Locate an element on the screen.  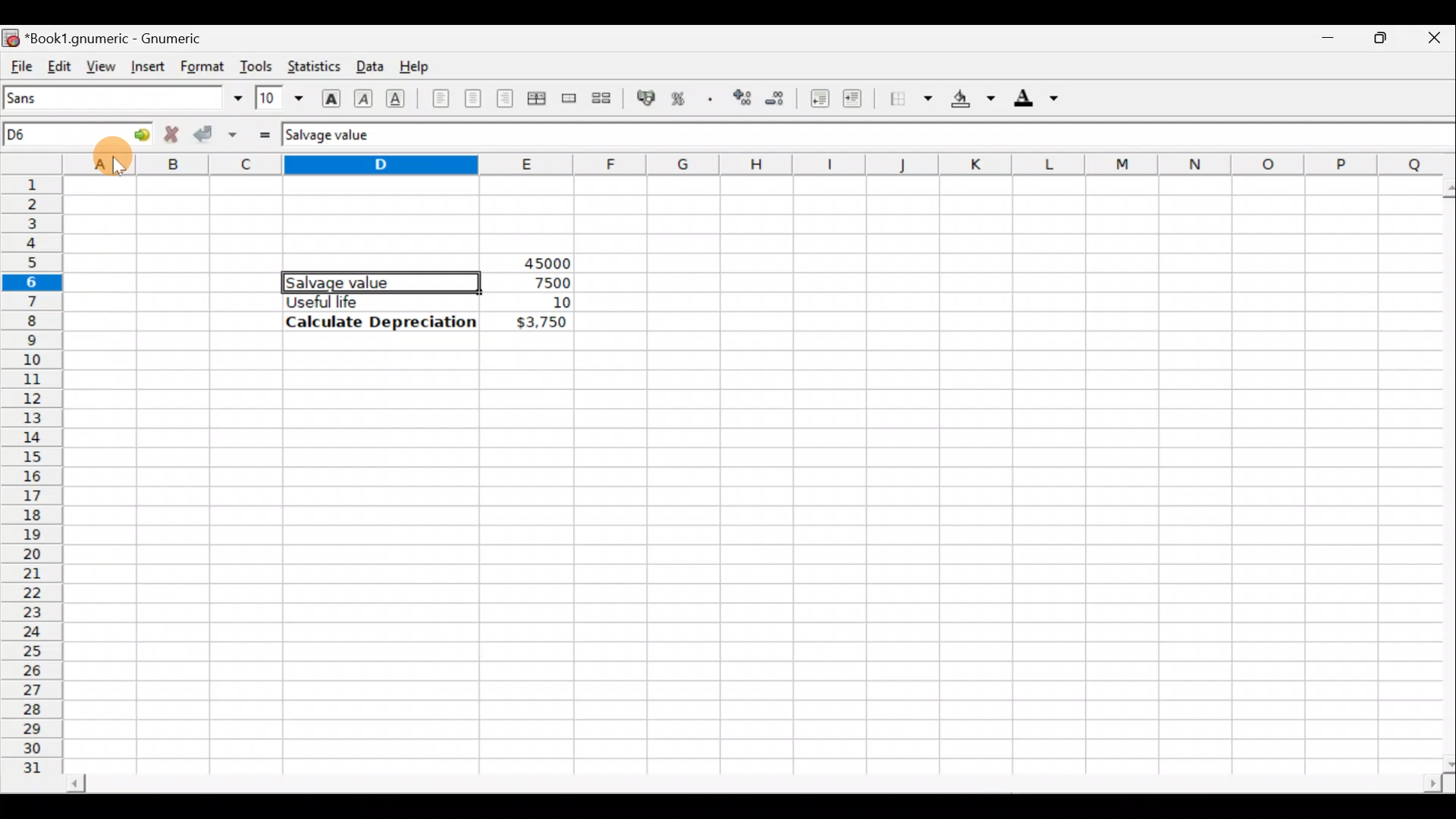
Merge a range of cells is located at coordinates (570, 101).